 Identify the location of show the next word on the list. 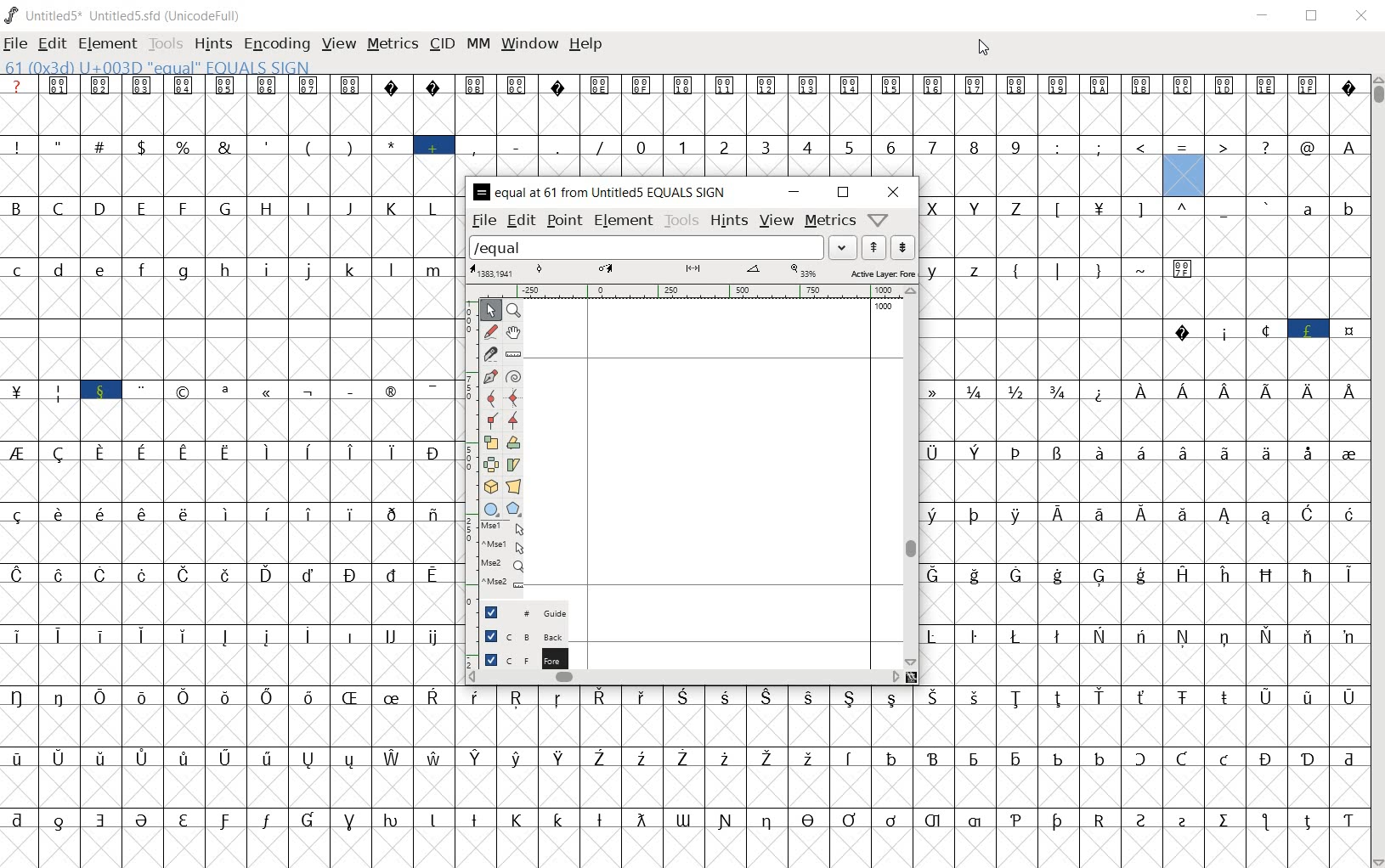
(873, 247).